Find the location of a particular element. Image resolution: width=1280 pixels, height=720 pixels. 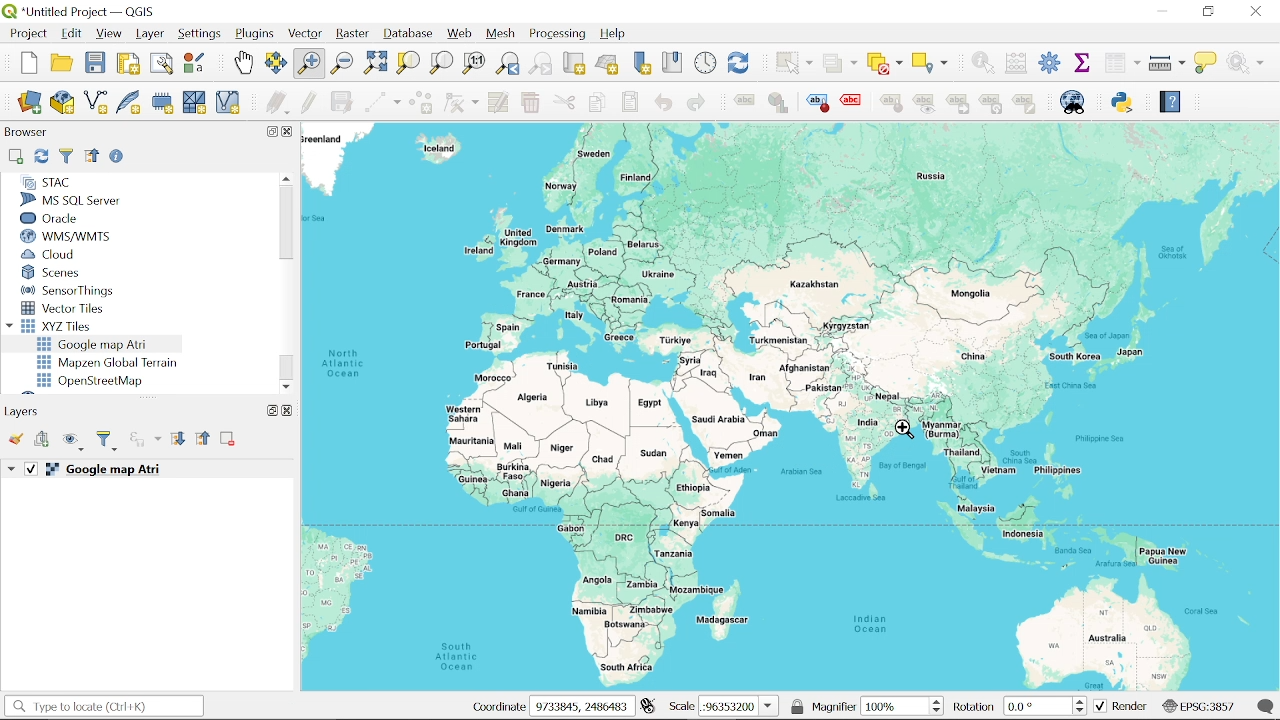

Paste feature is located at coordinates (631, 102).